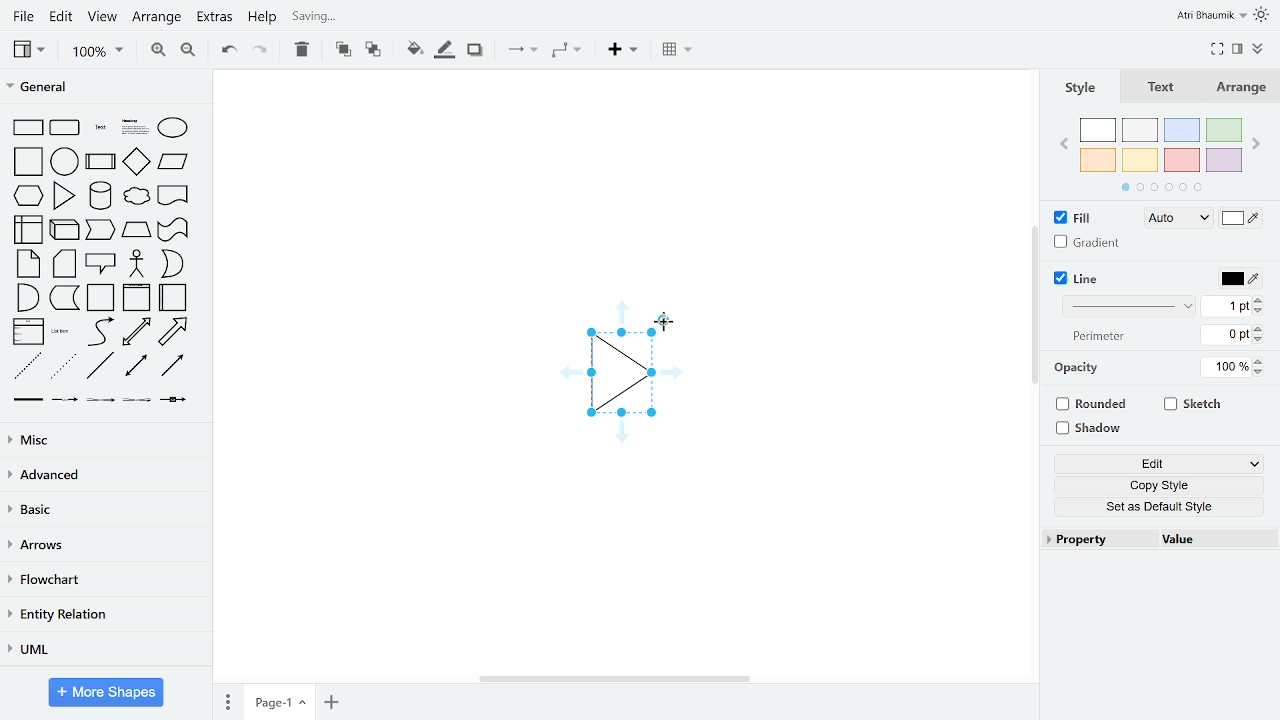  What do you see at coordinates (1261, 361) in the screenshot?
I see `increase opacity` at bounding box center [1261, 361].